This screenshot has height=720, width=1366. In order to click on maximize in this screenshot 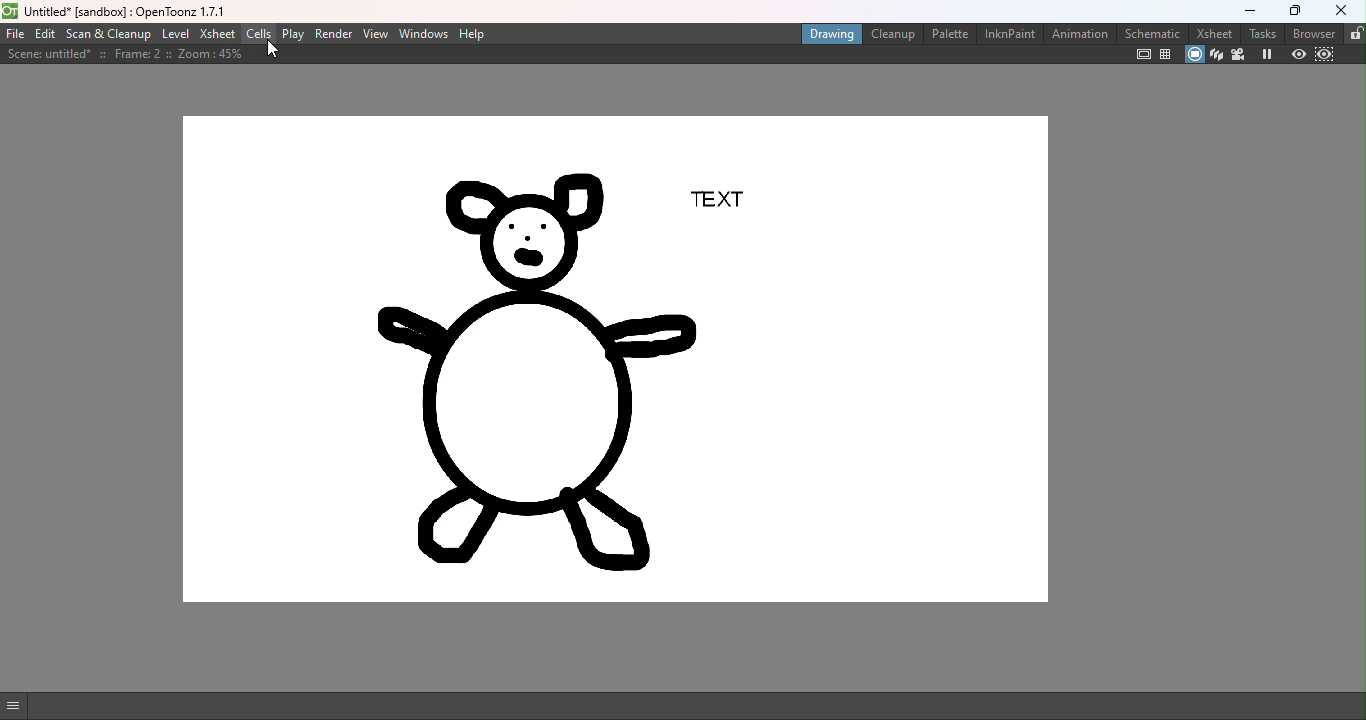, I will do `click(1290, 11)`.